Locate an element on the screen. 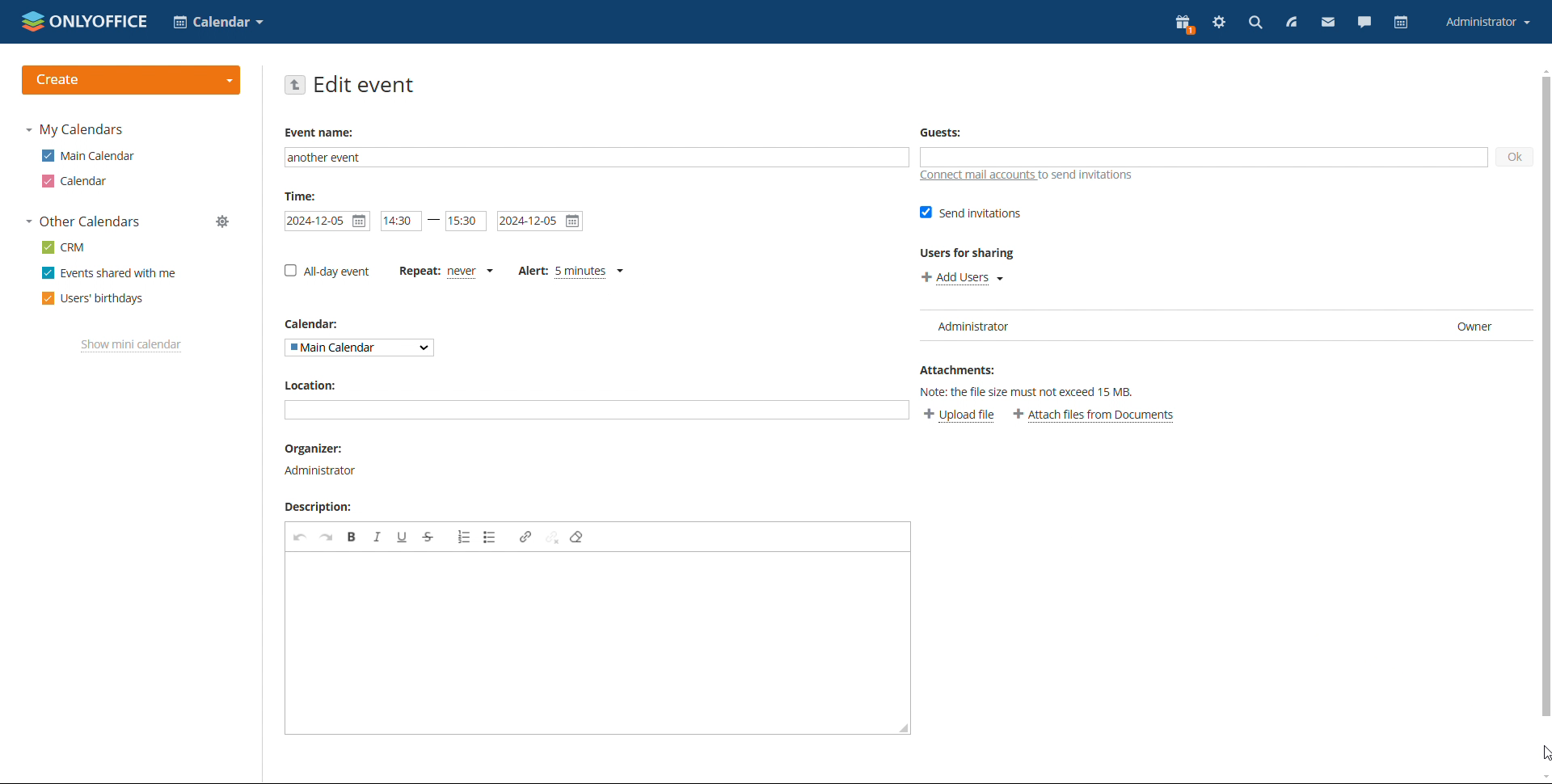 Image resolution: width=1552 pixels, height=784 pixels. undo is located at coordinates (301, 537).